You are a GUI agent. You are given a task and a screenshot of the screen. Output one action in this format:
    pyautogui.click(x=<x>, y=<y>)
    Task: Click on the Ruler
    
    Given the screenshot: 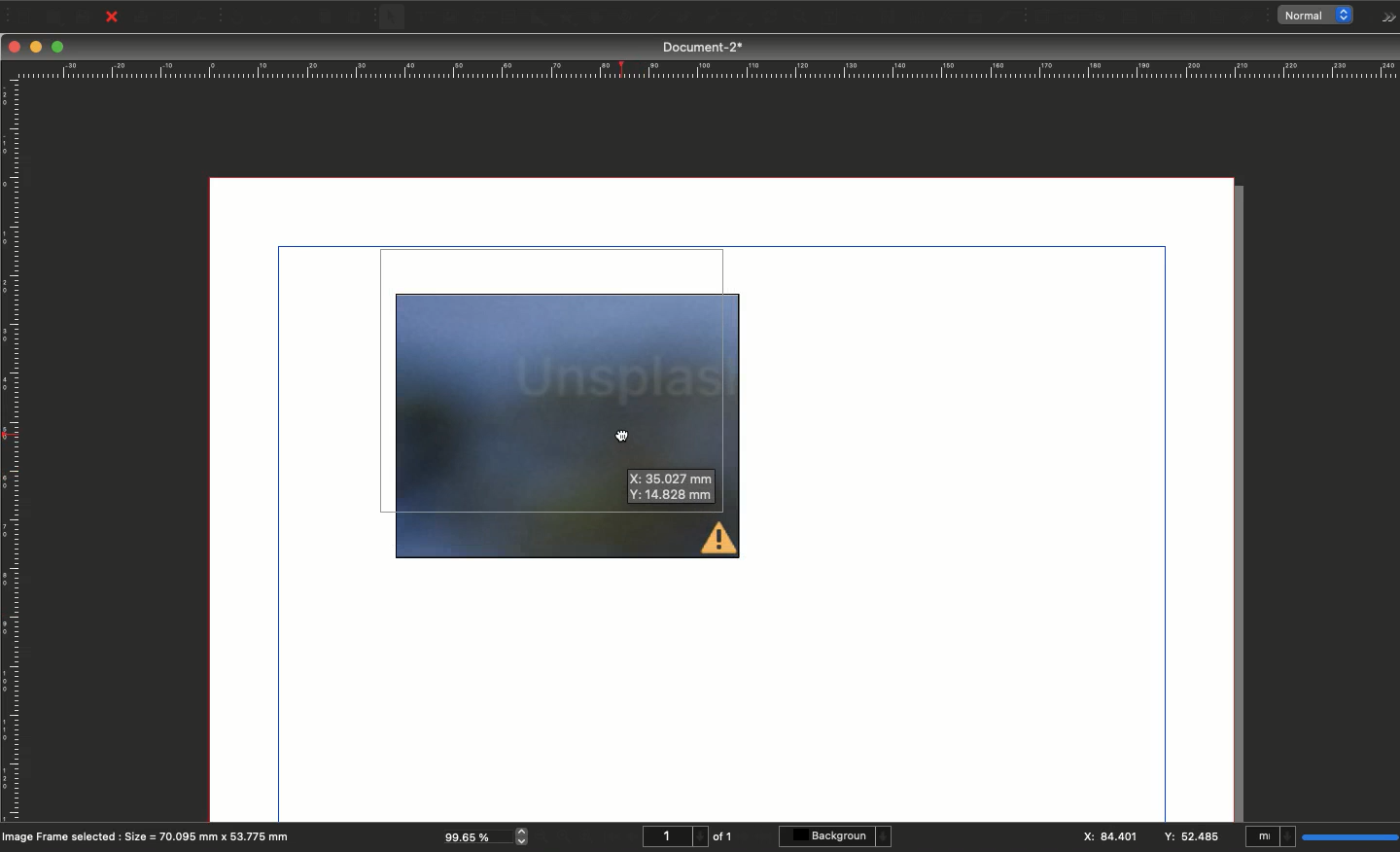 What is the action you would take?
    pyautogui.click(x=13, y=440)
    